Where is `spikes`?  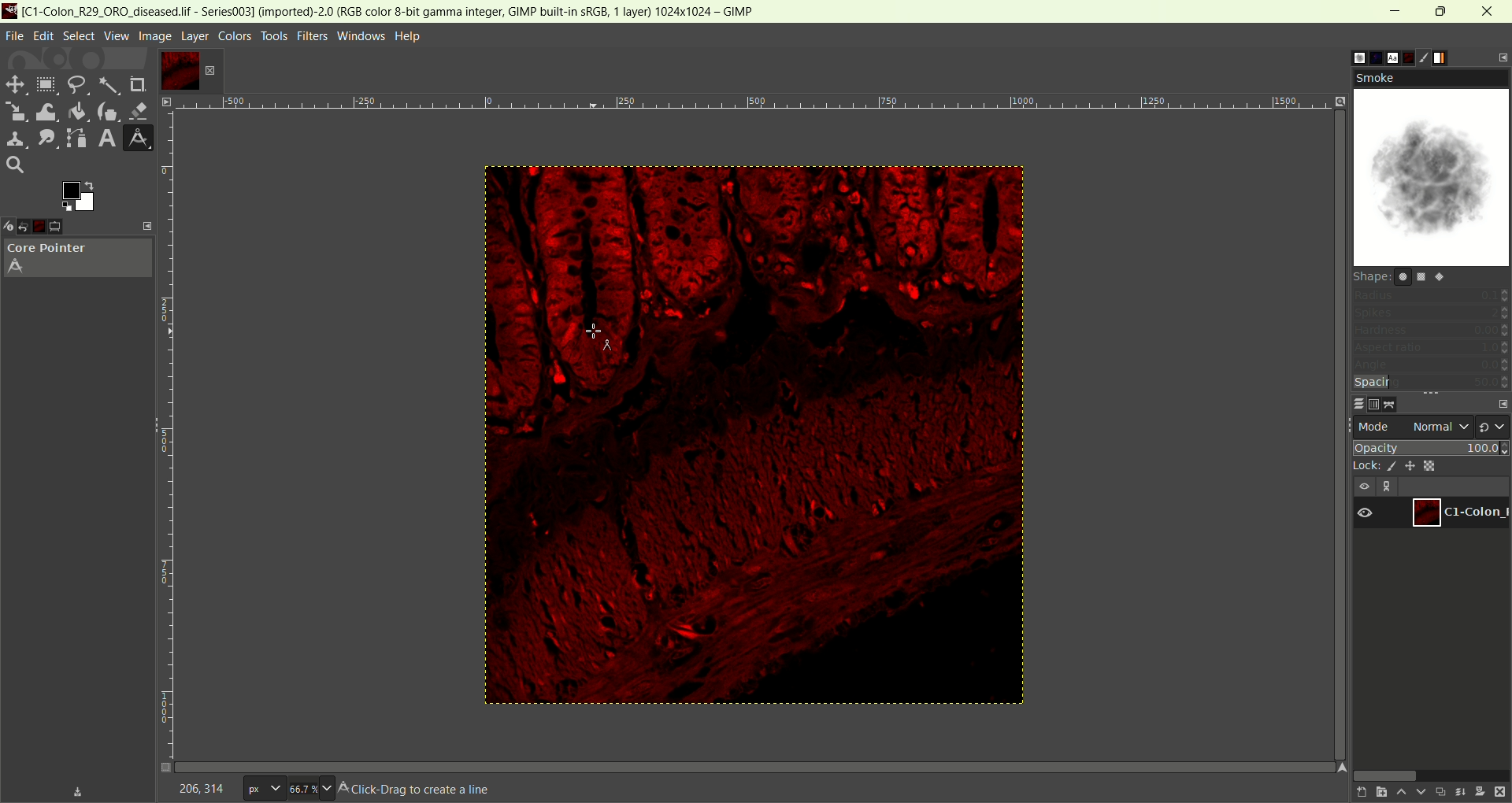 spikes is located at coordinates (1431, 315).